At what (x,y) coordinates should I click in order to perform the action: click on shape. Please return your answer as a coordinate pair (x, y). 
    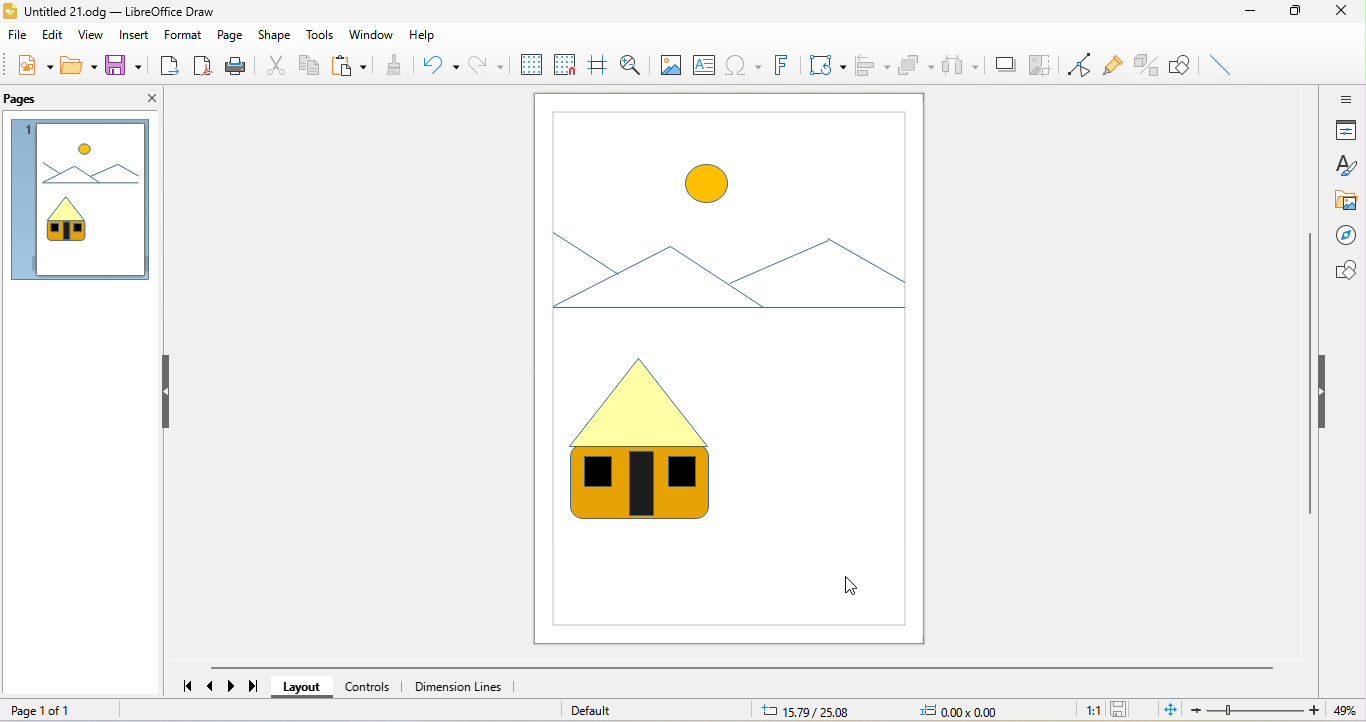
    Looking at the image, I should click on (276, 35).